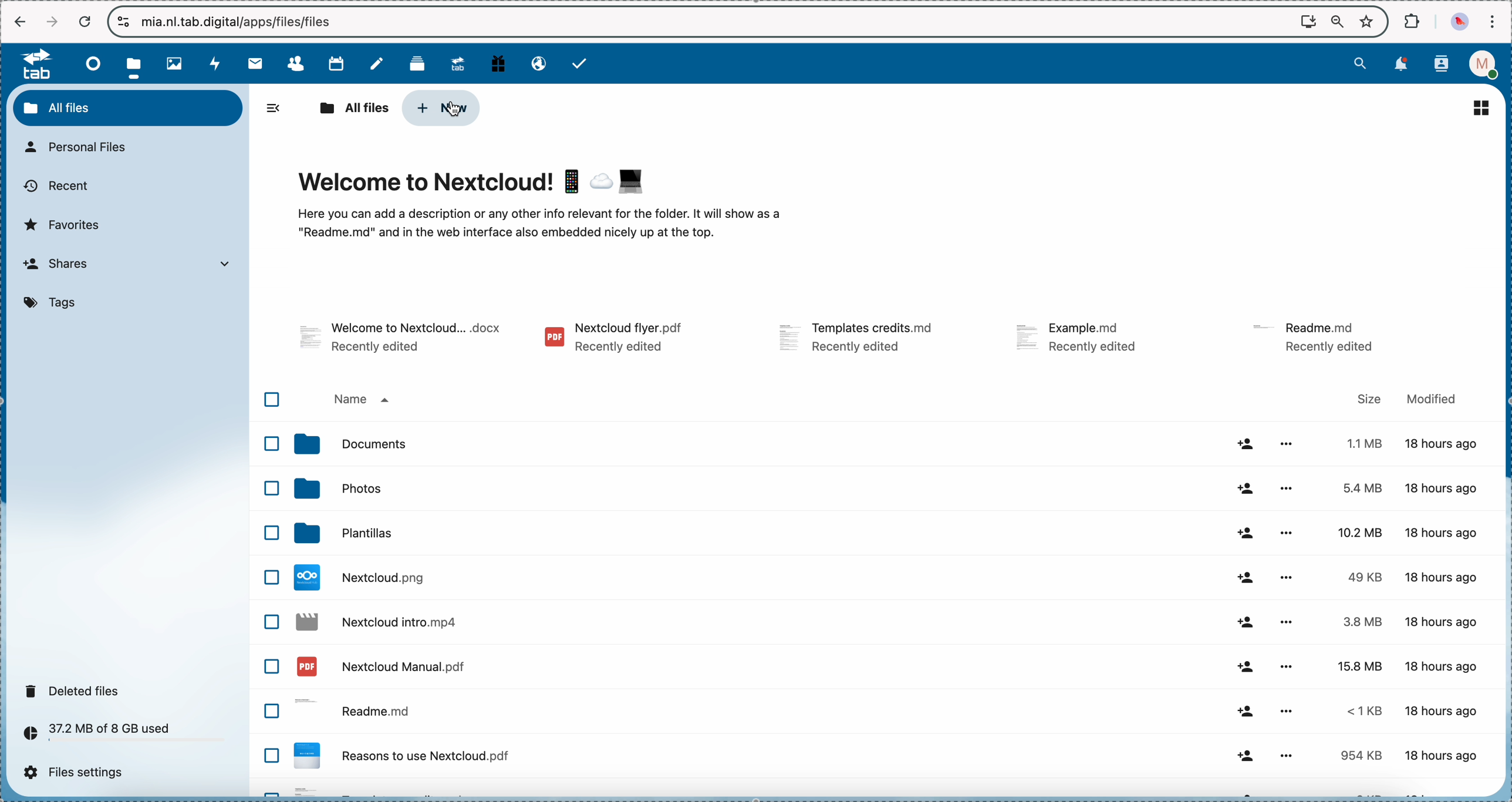  Describe the element at coordinates (751, 758) in the screenshot. I see `file` at that location.